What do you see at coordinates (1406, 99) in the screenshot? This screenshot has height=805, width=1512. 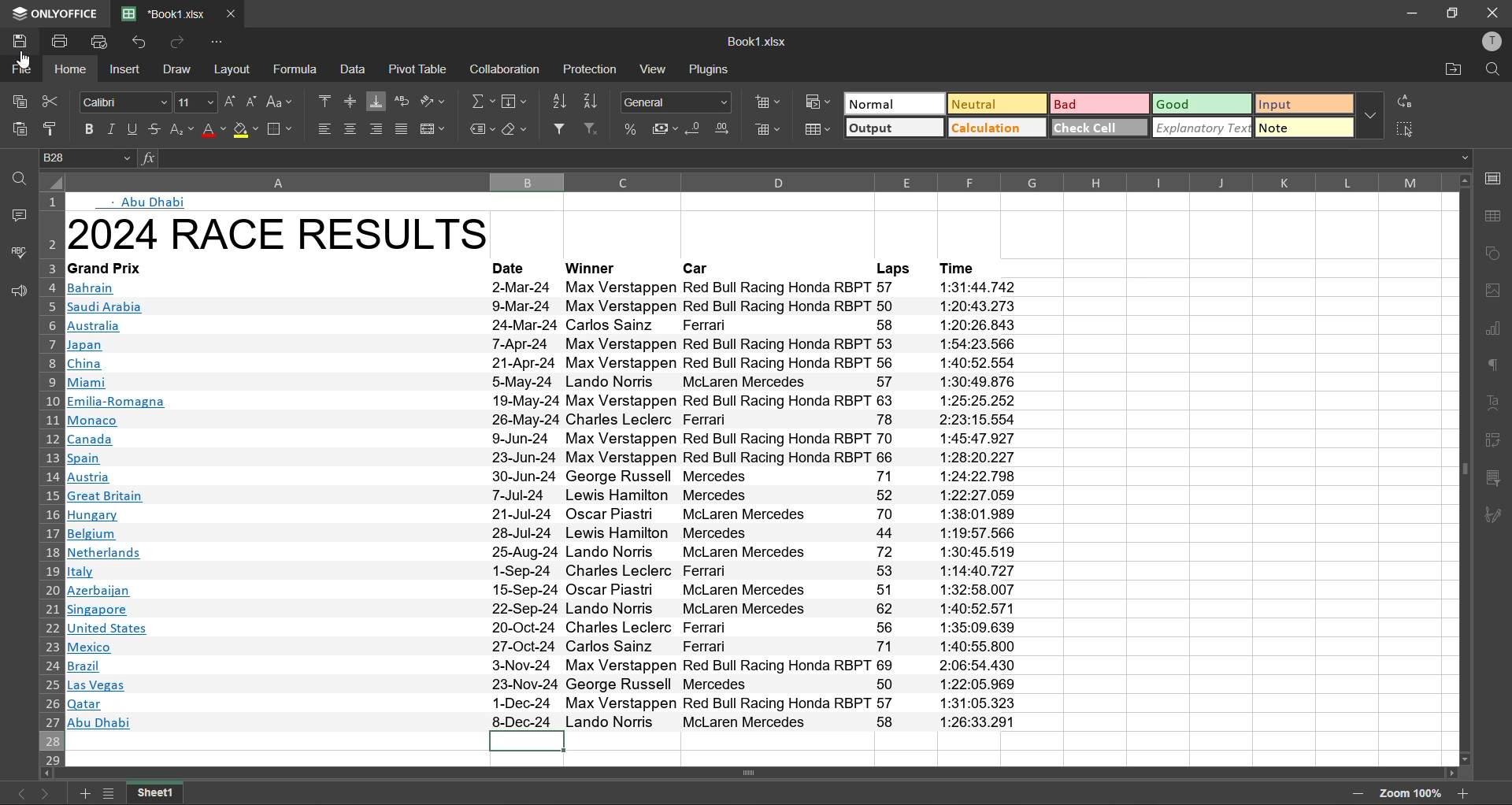 I see `replace` at bounding box center [1406, 99].